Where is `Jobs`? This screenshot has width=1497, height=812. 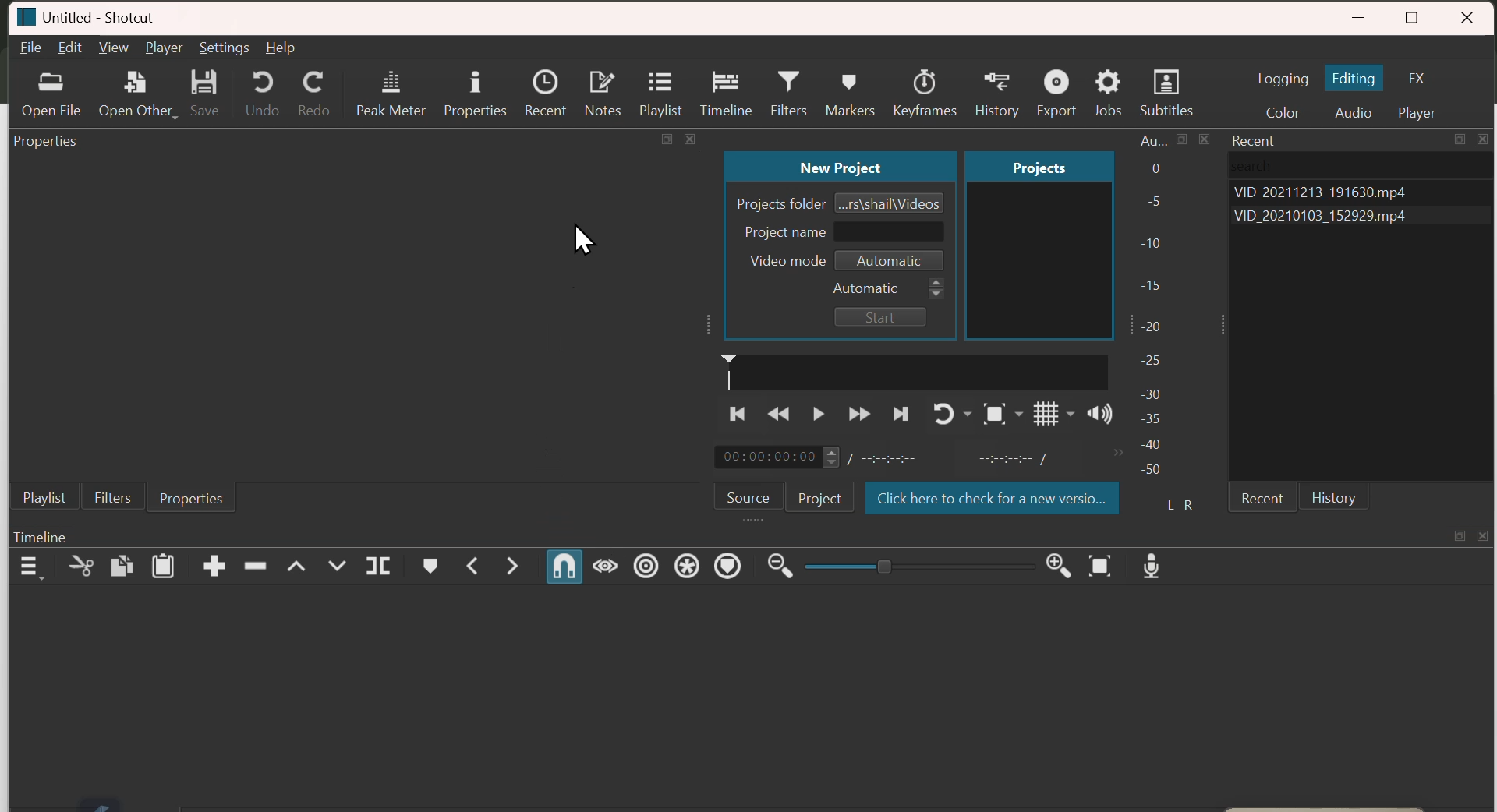 Jobs is located at coordinates (1106, 86).